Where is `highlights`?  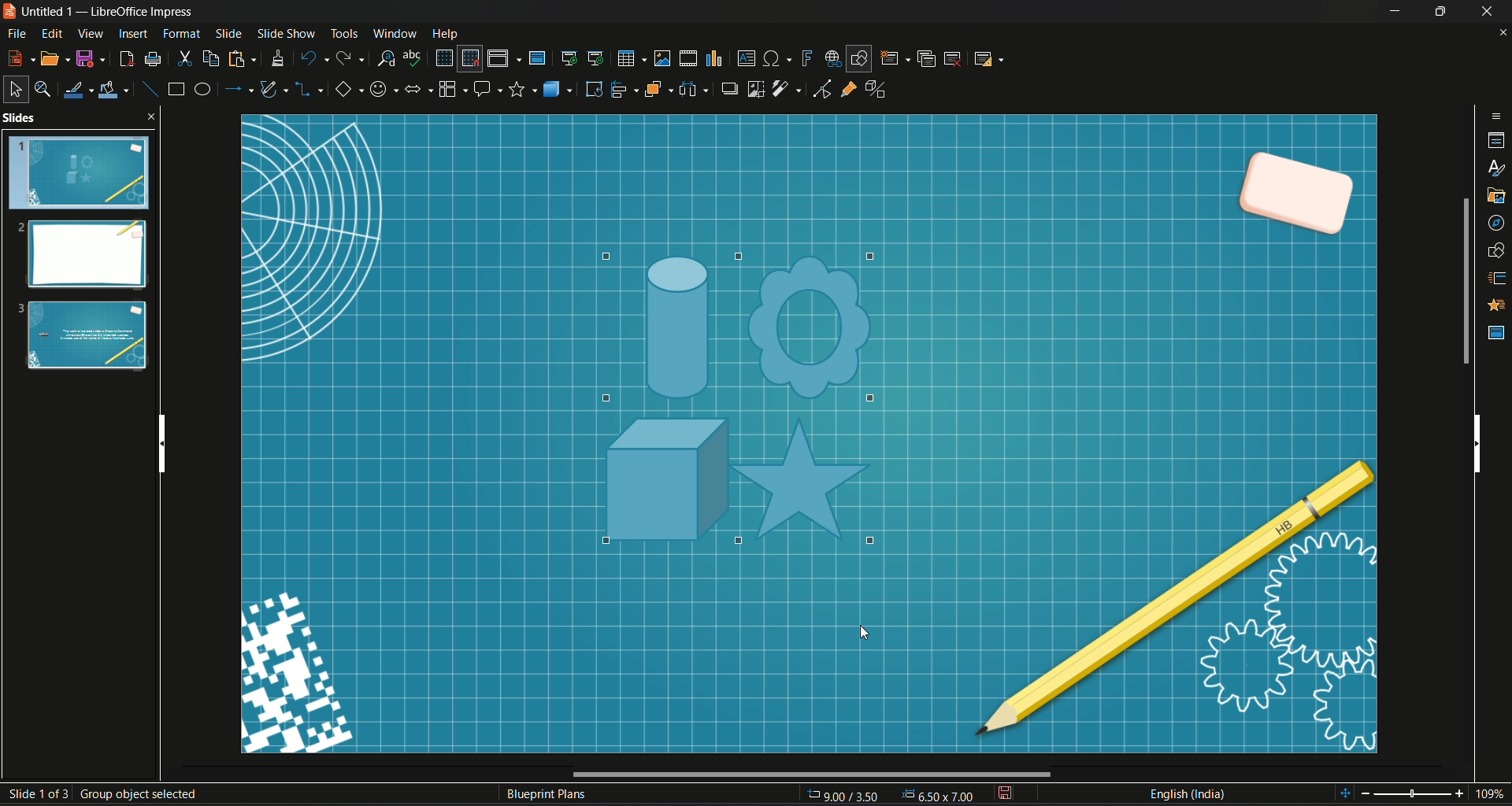
highlights is located at coordinates (735, 389).